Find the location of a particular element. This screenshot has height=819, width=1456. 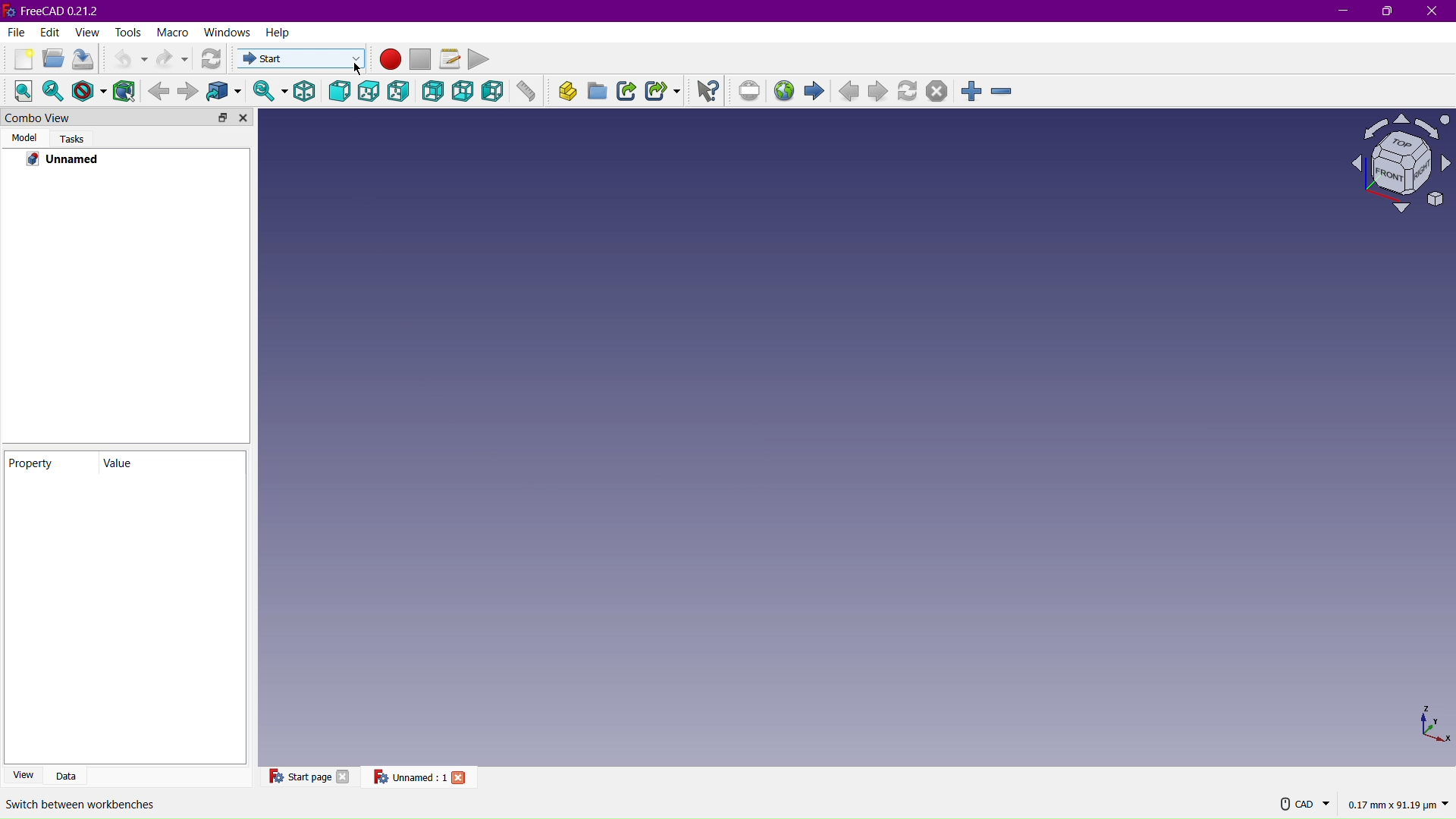

Create Folder is located at coordinates (598, 93).